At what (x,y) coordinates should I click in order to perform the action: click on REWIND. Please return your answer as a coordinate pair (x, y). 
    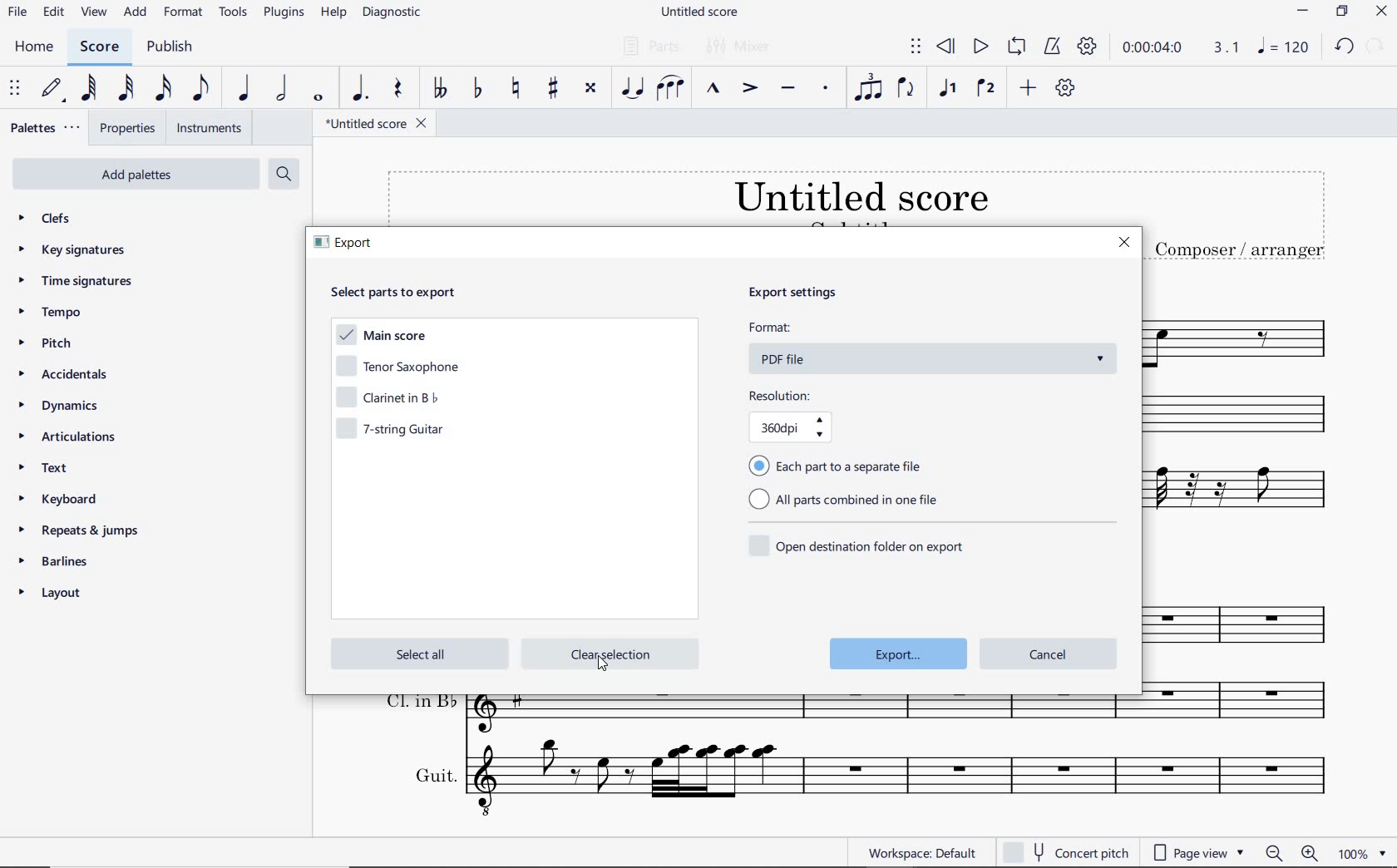
    Looking at the image, I should click on (949, 47).